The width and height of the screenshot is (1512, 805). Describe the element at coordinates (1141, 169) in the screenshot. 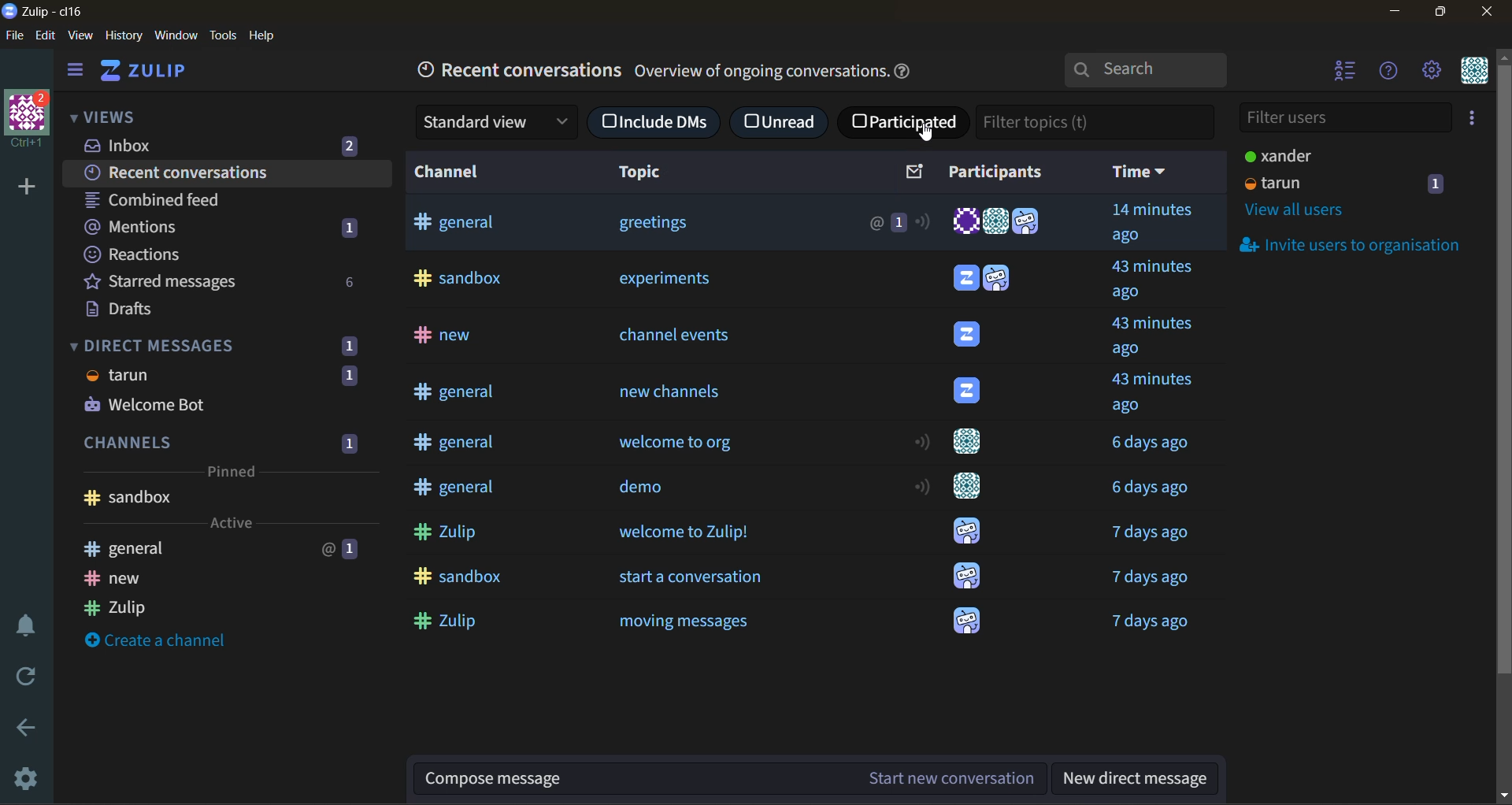

I see `time` at that location.